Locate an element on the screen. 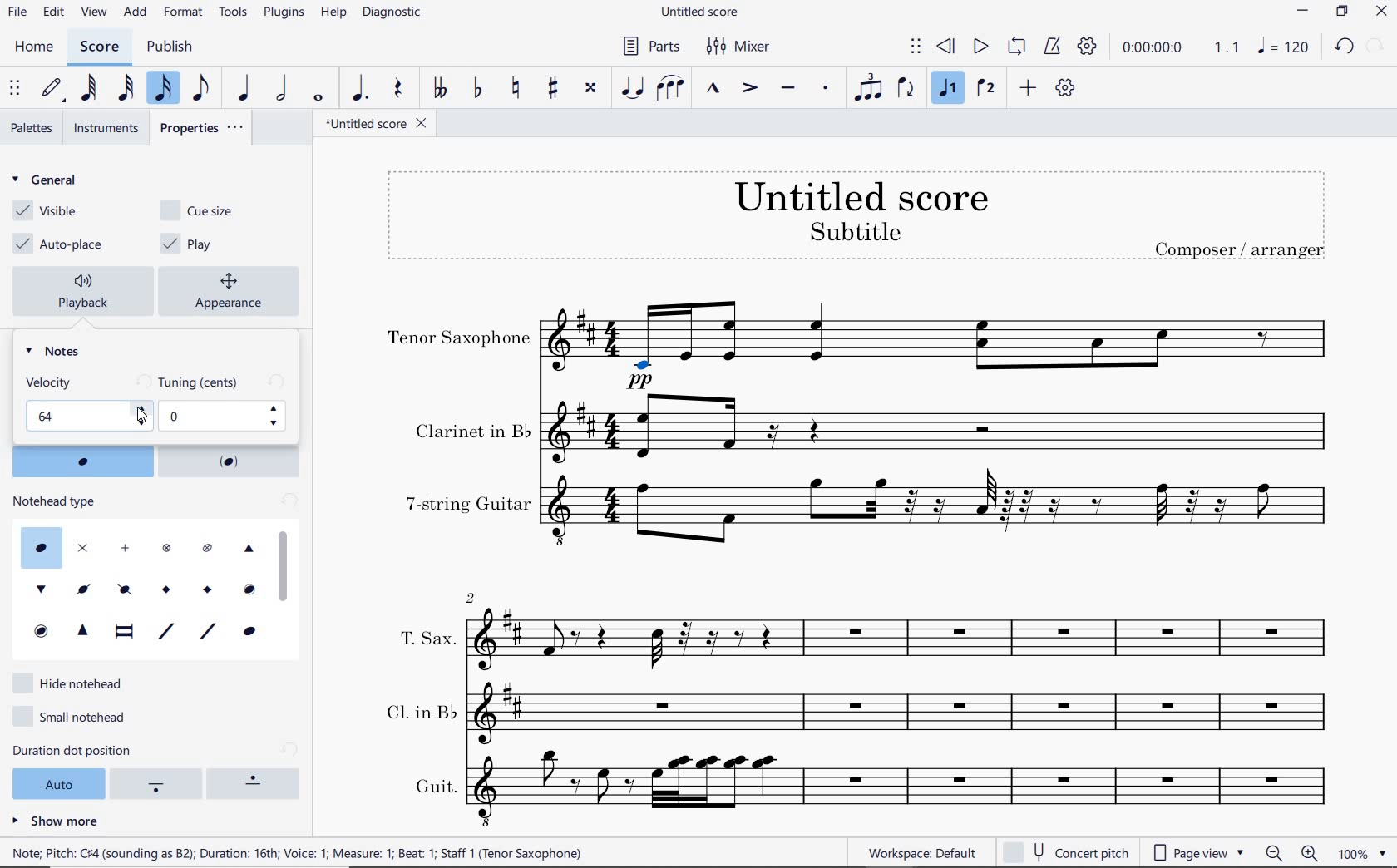  note:pitch is located at coordinates (298, 852).